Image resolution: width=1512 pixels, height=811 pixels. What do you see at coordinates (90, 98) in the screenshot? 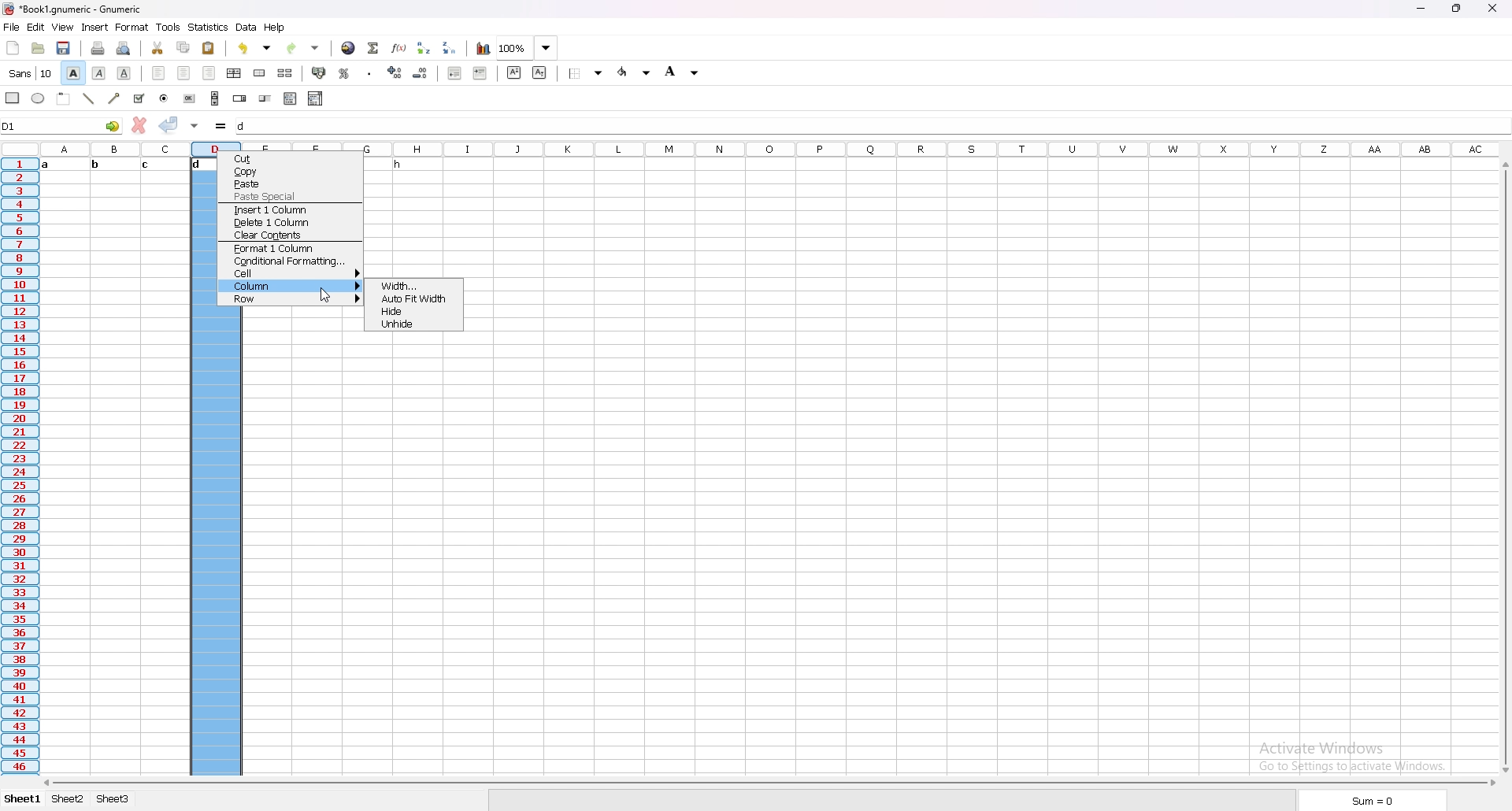
I see `line` at bounding box center [90, 98].